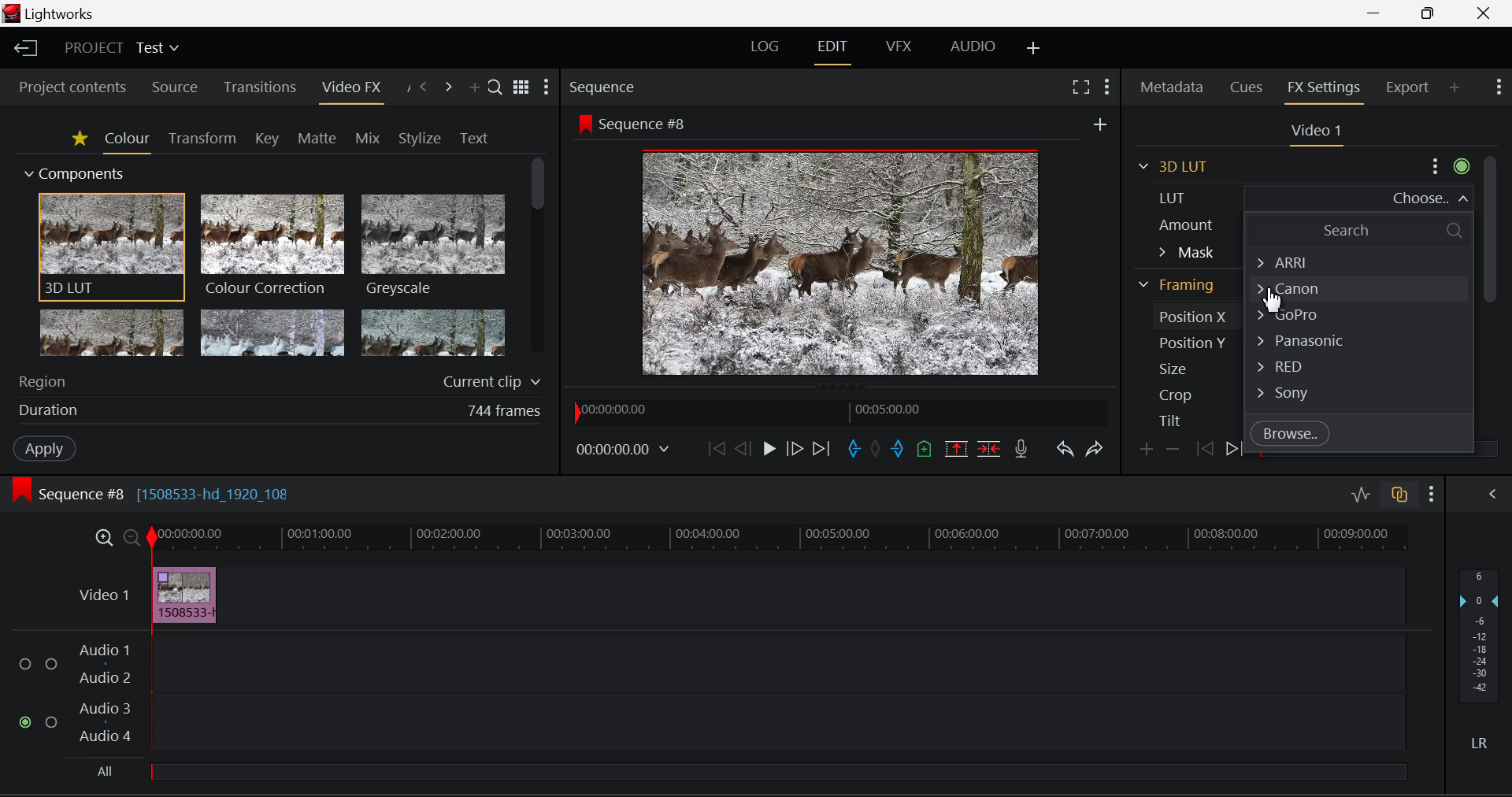 Image resolution: width=1512 pixels, height=797 pixels. I want to click on Crop, so click(1176, 395).